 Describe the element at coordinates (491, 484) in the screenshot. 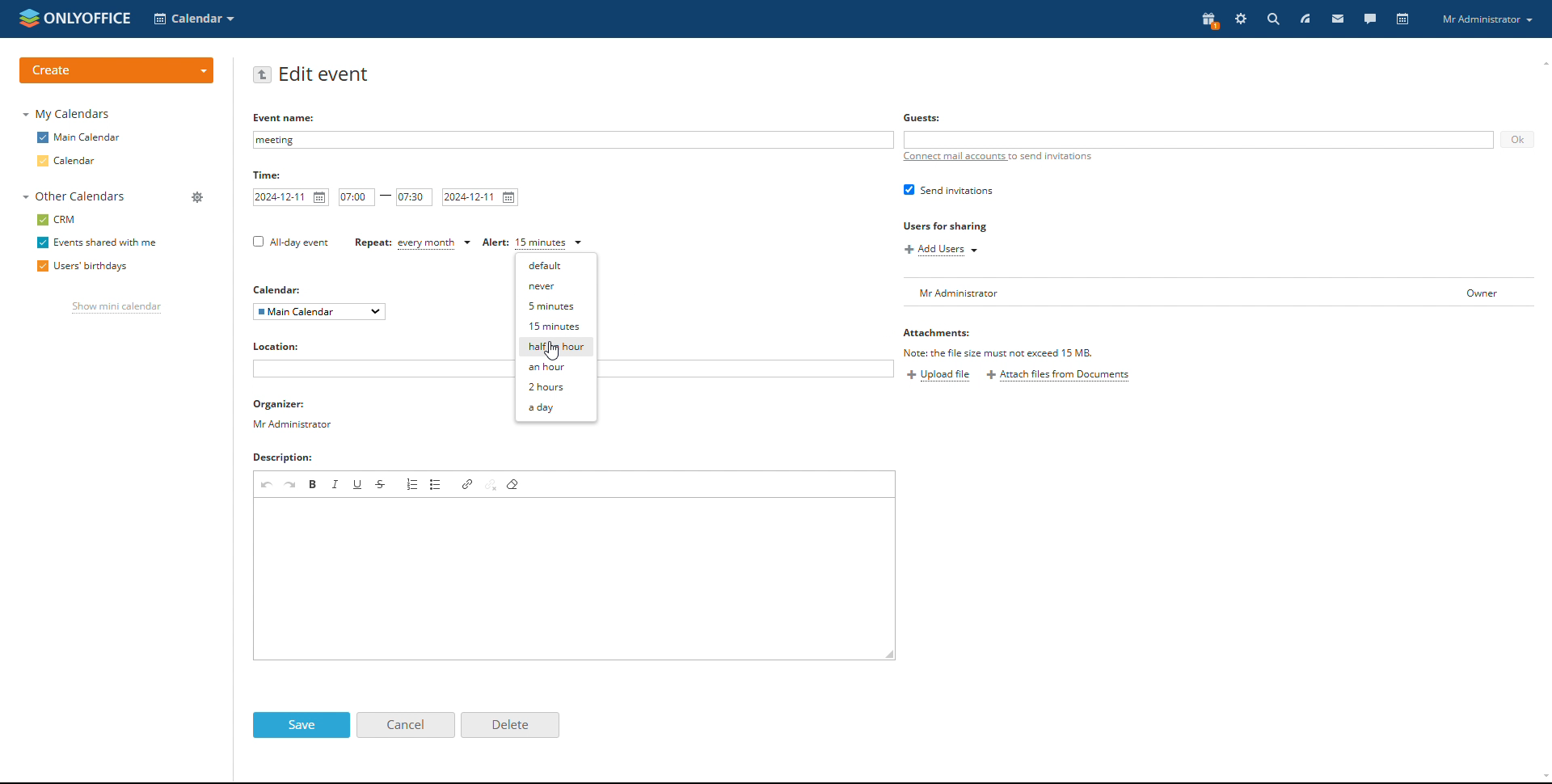

I see `unlink` at that location.